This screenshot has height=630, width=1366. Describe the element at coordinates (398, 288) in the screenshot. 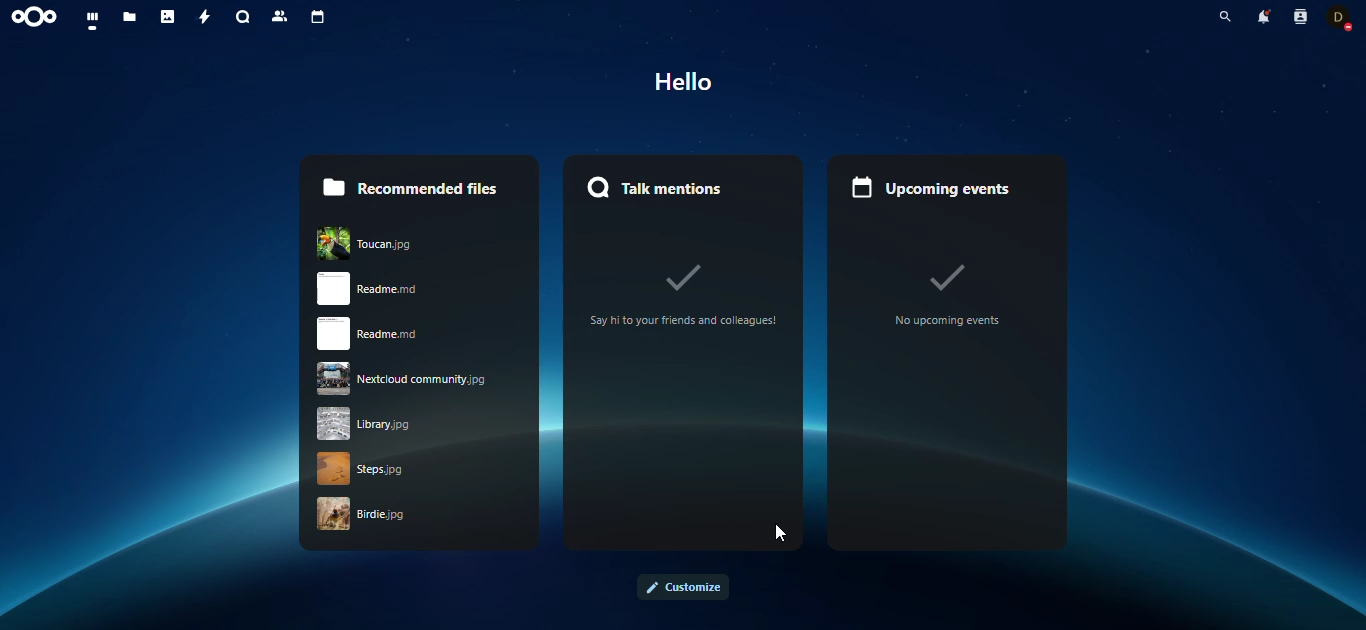

I see `read me.rnd` at that location.